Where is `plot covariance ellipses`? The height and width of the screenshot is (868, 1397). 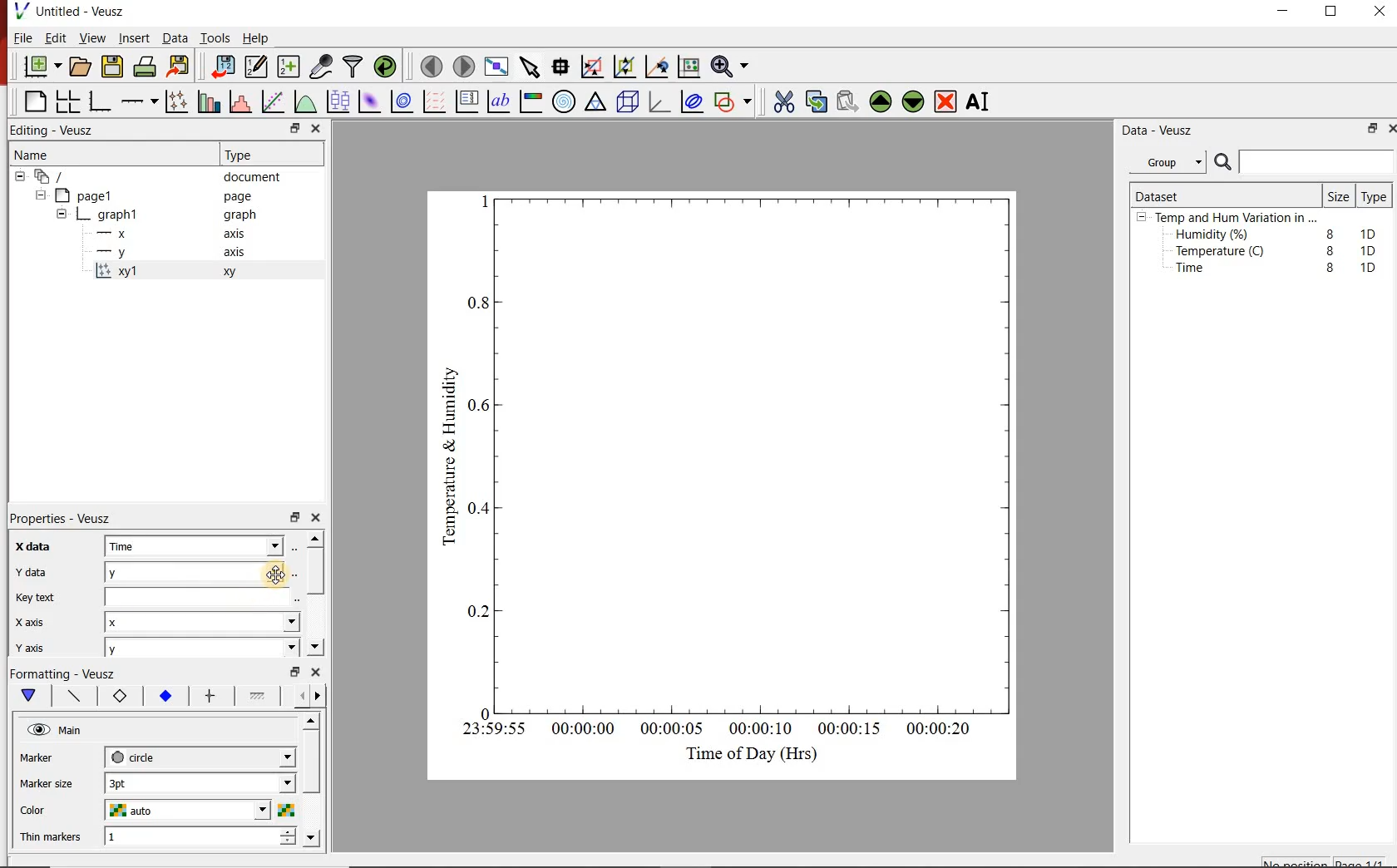
plot covariance ellipses is located at coordinates (696, 105).